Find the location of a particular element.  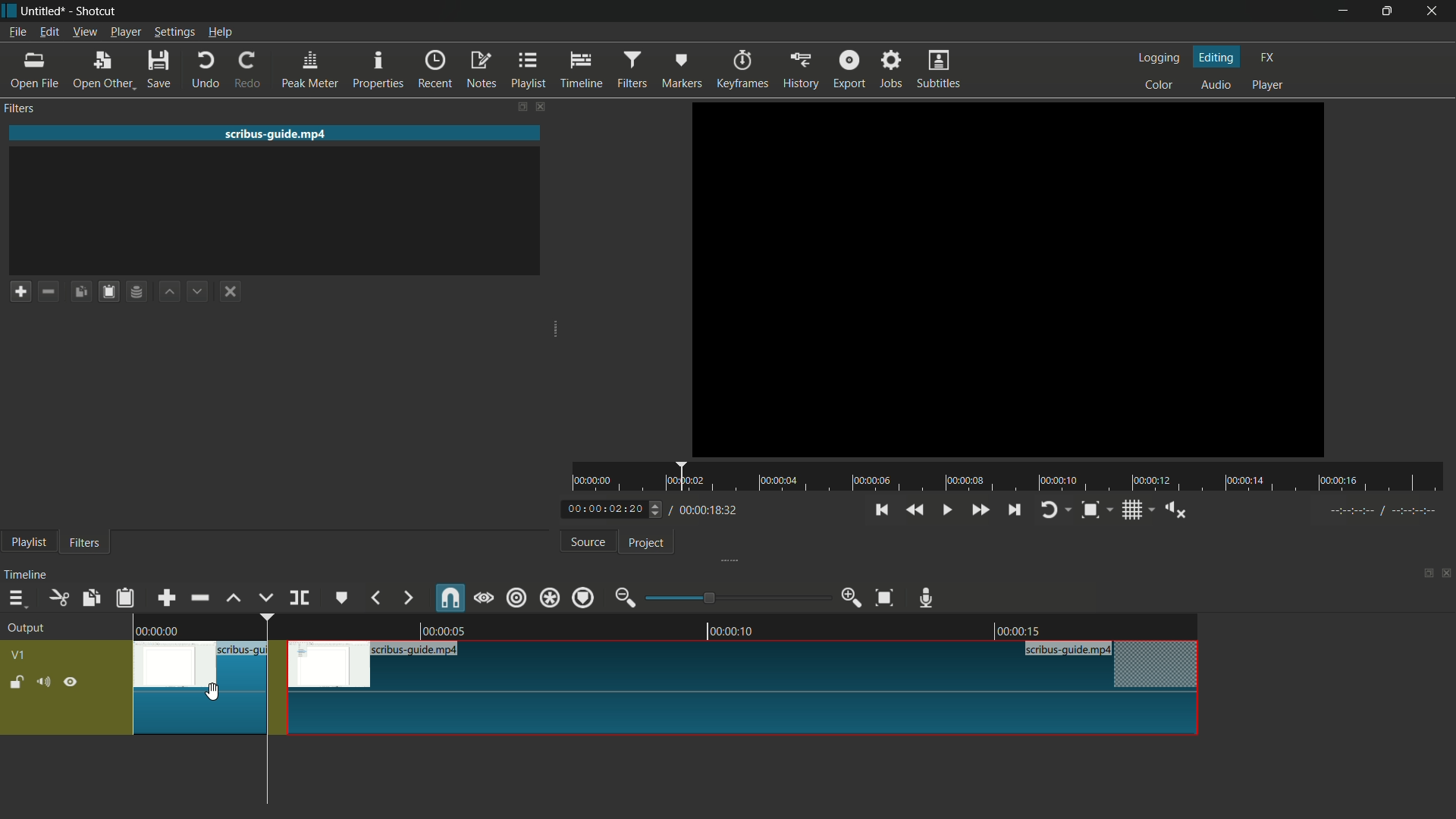

editing is located at coordinates (1218, 56).